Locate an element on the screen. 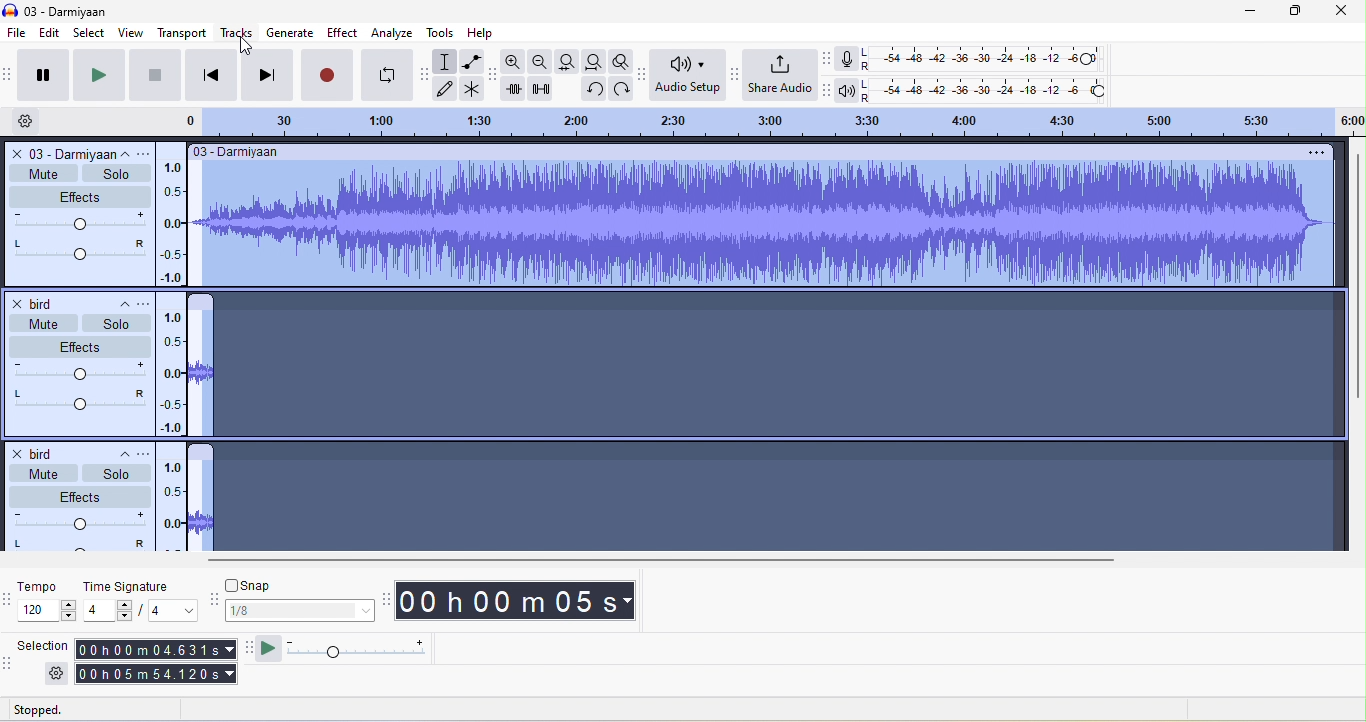 This screenshot has width=1366, height=722. view is located at coordinates (128, 32).